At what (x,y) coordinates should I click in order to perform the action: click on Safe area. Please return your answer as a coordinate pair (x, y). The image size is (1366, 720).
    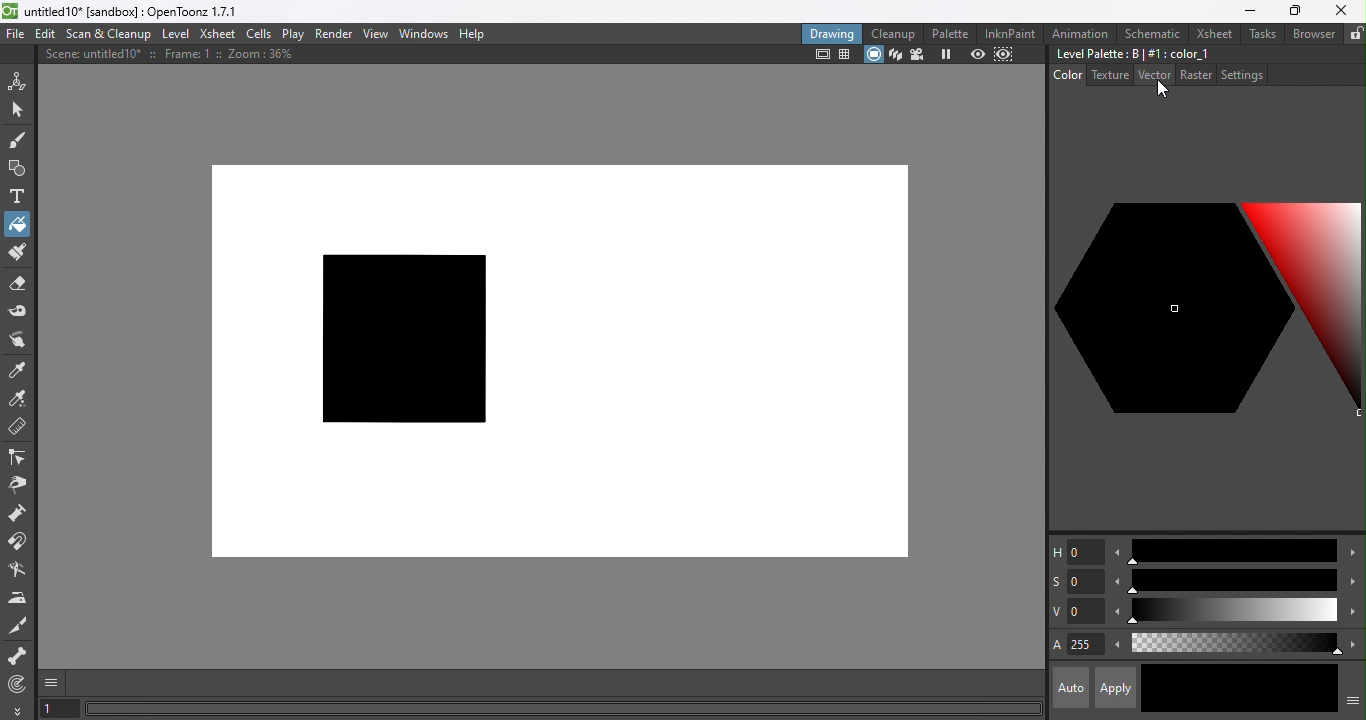
    Looking at the image, I should click on (820, 55).